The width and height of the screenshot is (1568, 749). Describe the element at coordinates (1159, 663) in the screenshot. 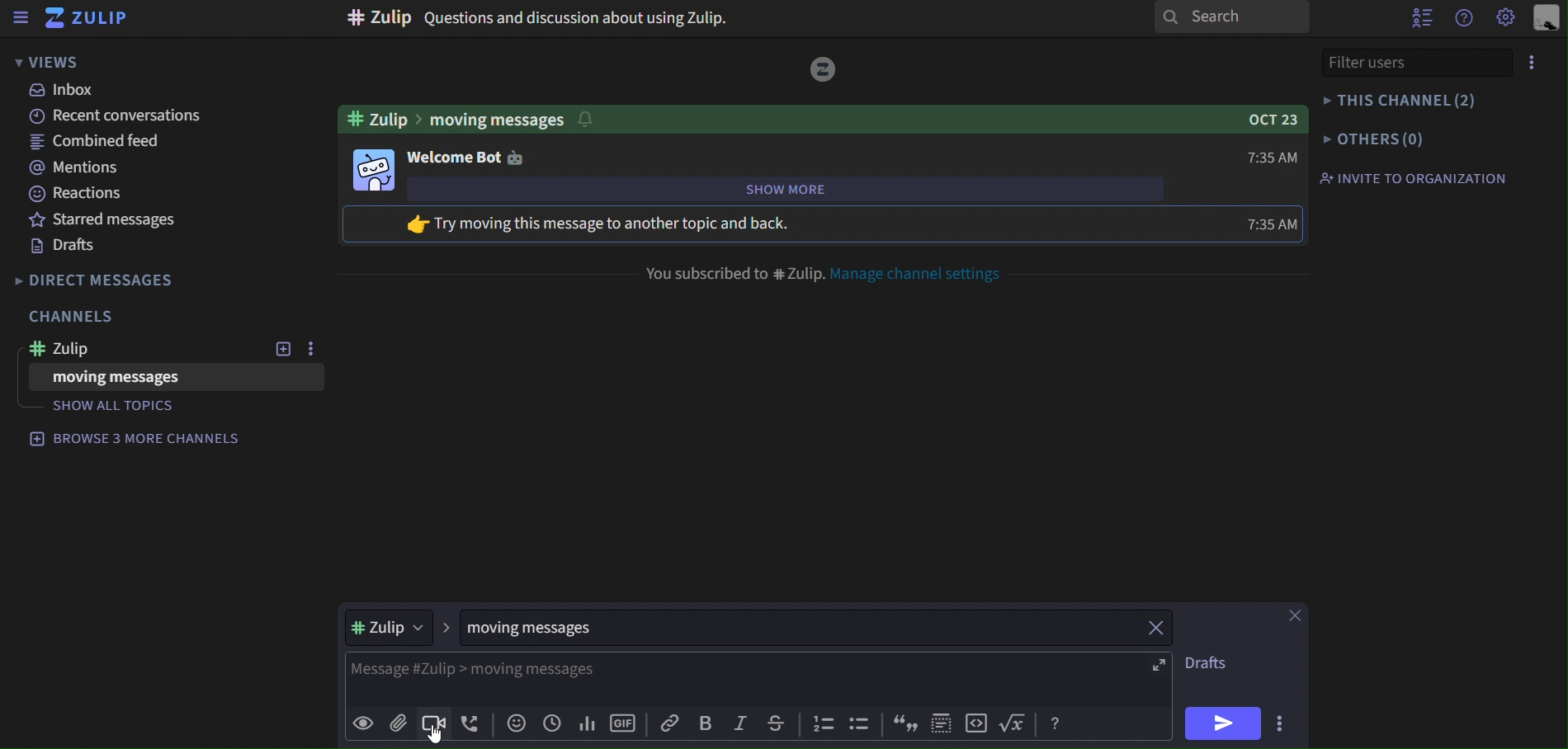

I see `expand fullscreen` at that location.